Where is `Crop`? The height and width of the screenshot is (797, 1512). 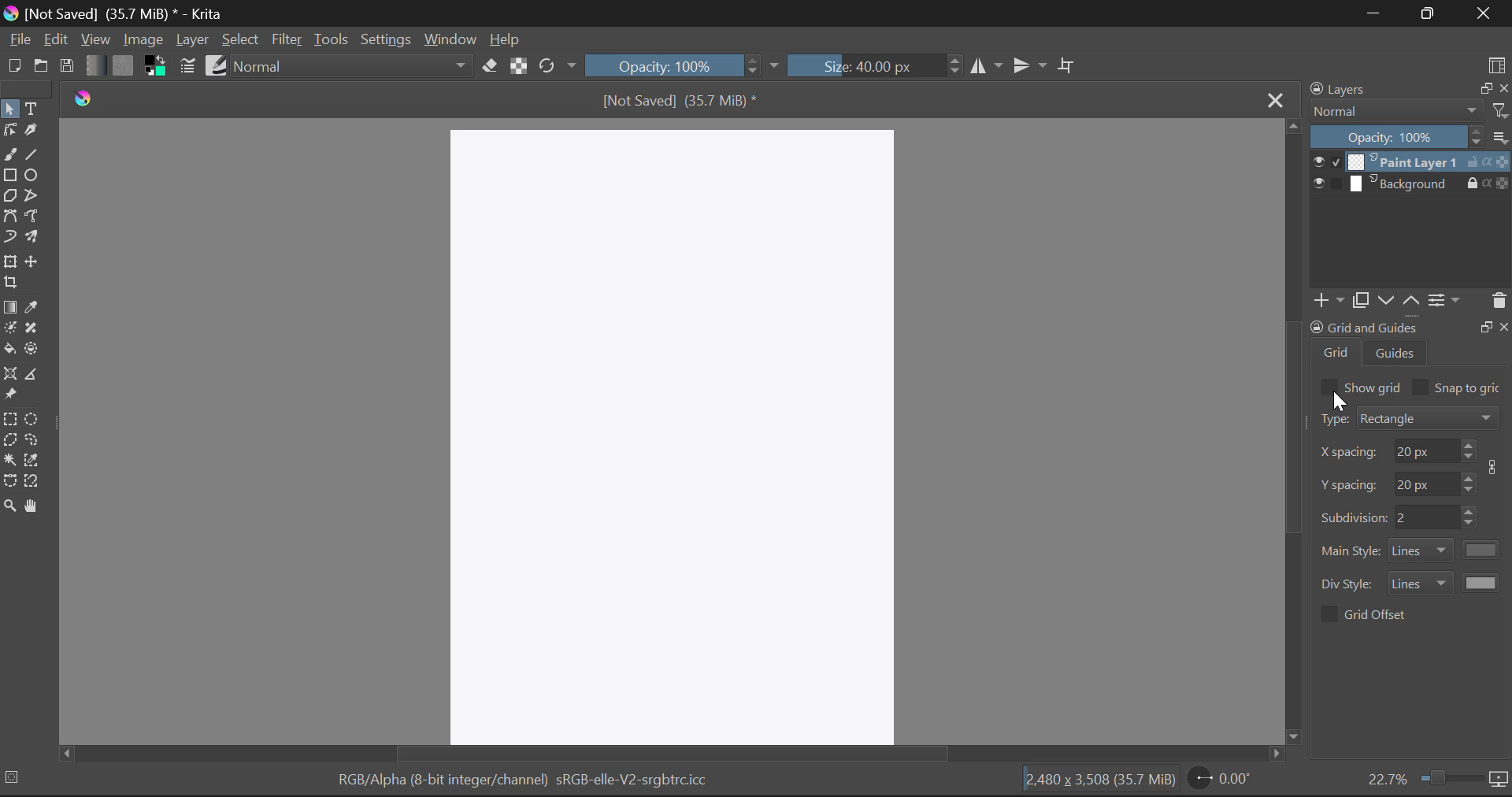 Crop is located at coordinates (1069, 65).